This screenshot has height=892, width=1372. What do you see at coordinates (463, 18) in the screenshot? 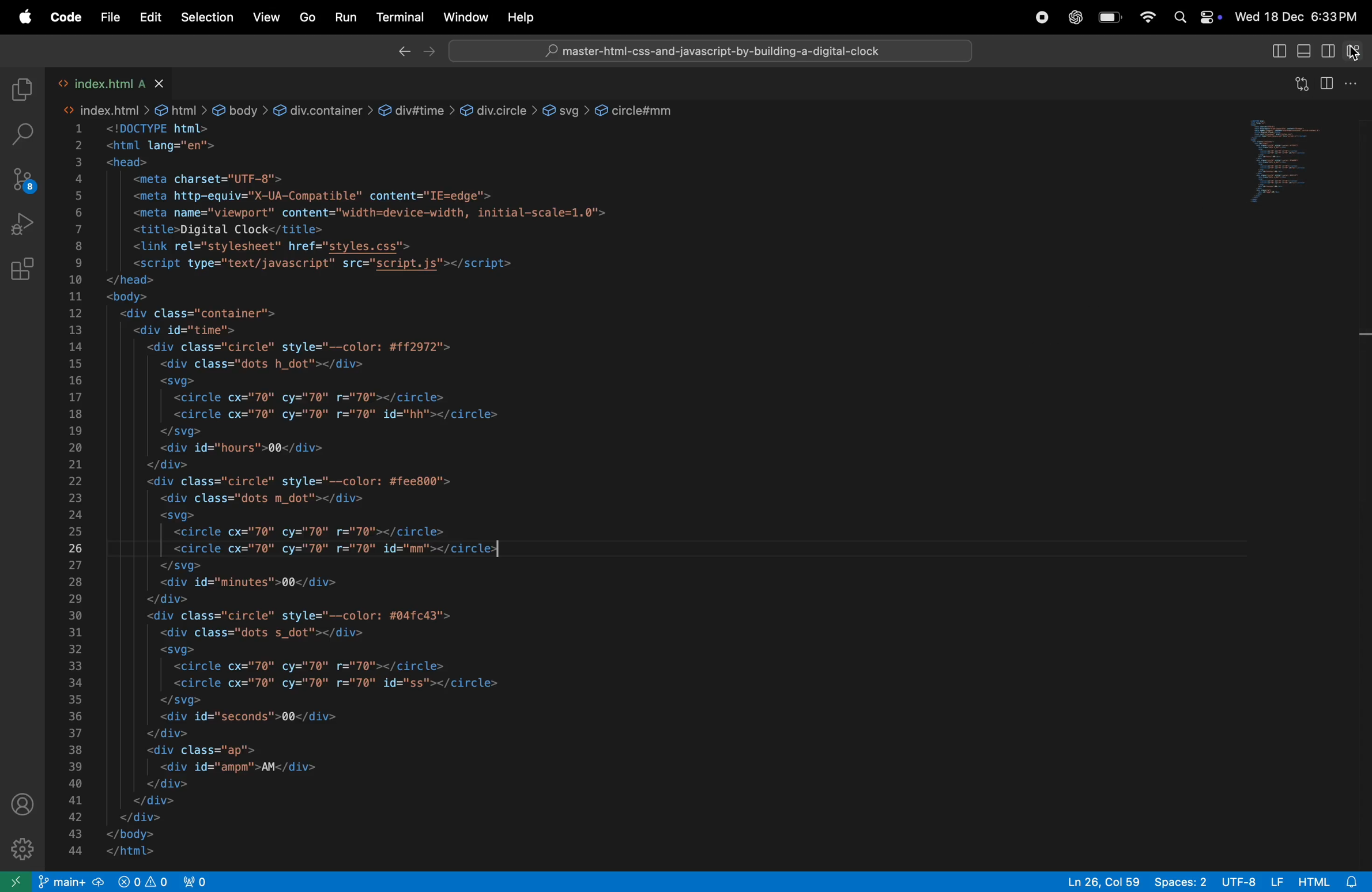
I see `Window` at bounding box center [463, 18].